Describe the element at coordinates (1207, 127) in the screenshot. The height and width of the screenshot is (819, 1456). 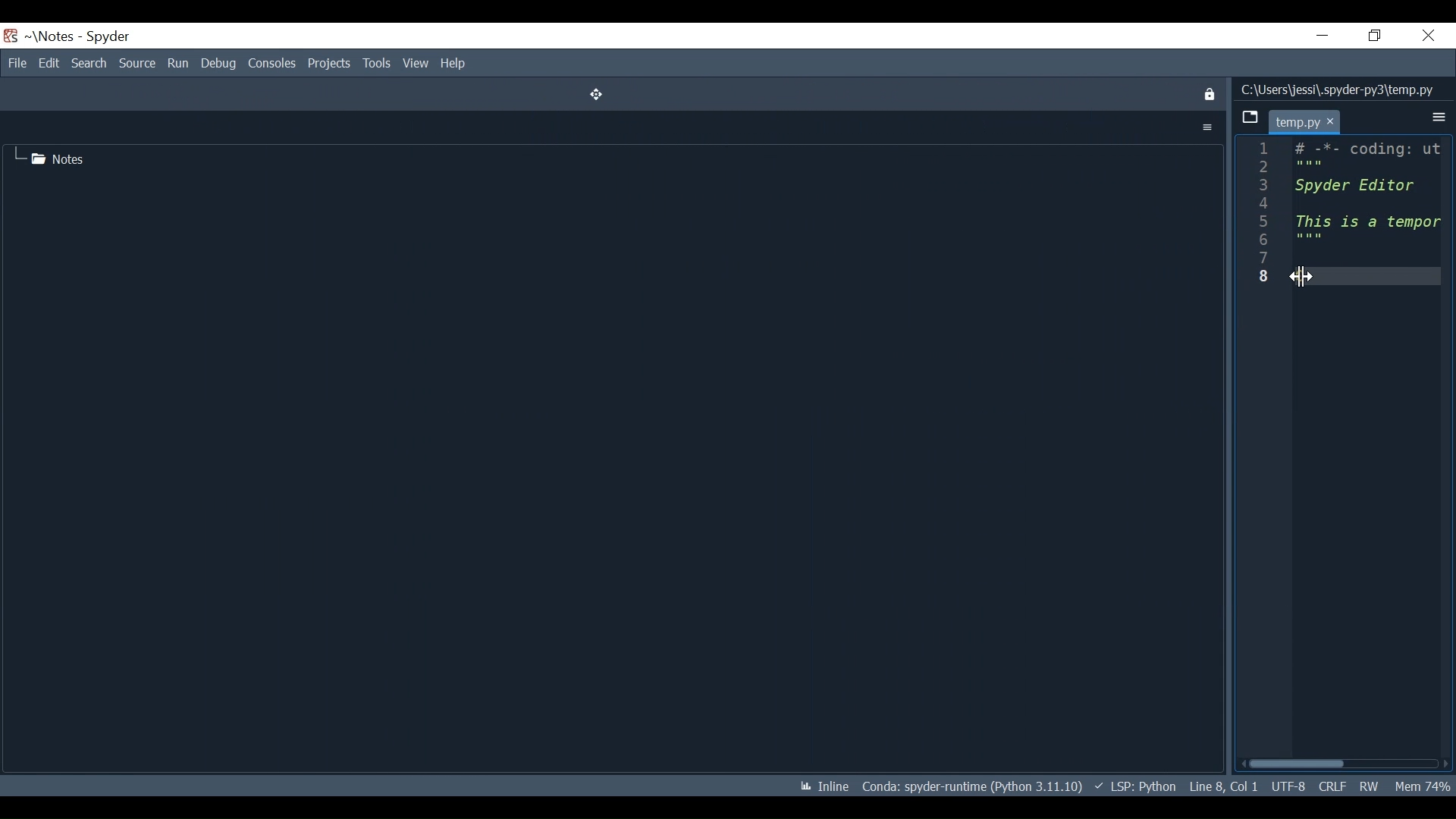
I see `More Options` at that location.